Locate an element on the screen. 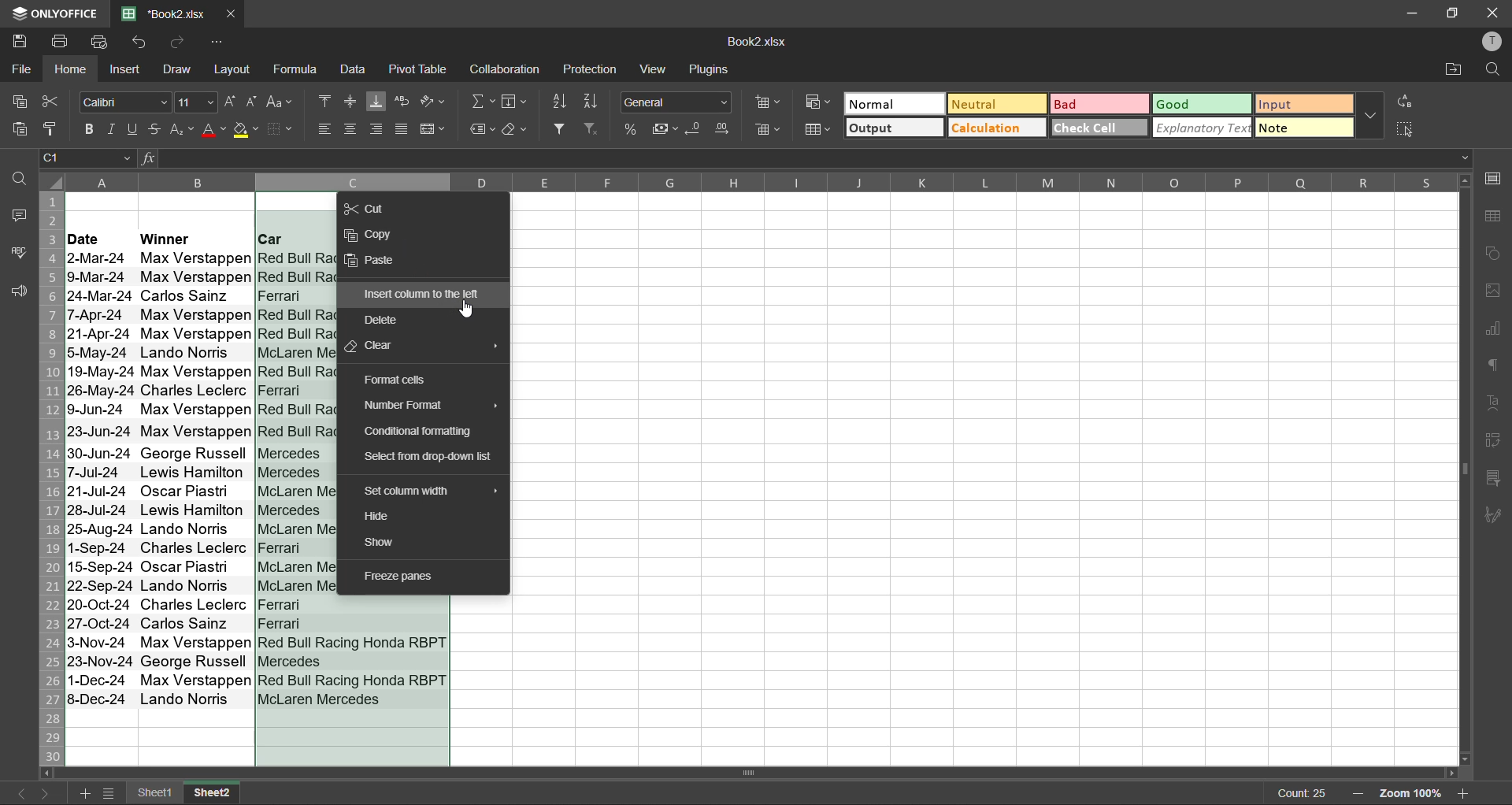 This screenshot has height=805, width=1512. data is located at coordinates (358, 72).